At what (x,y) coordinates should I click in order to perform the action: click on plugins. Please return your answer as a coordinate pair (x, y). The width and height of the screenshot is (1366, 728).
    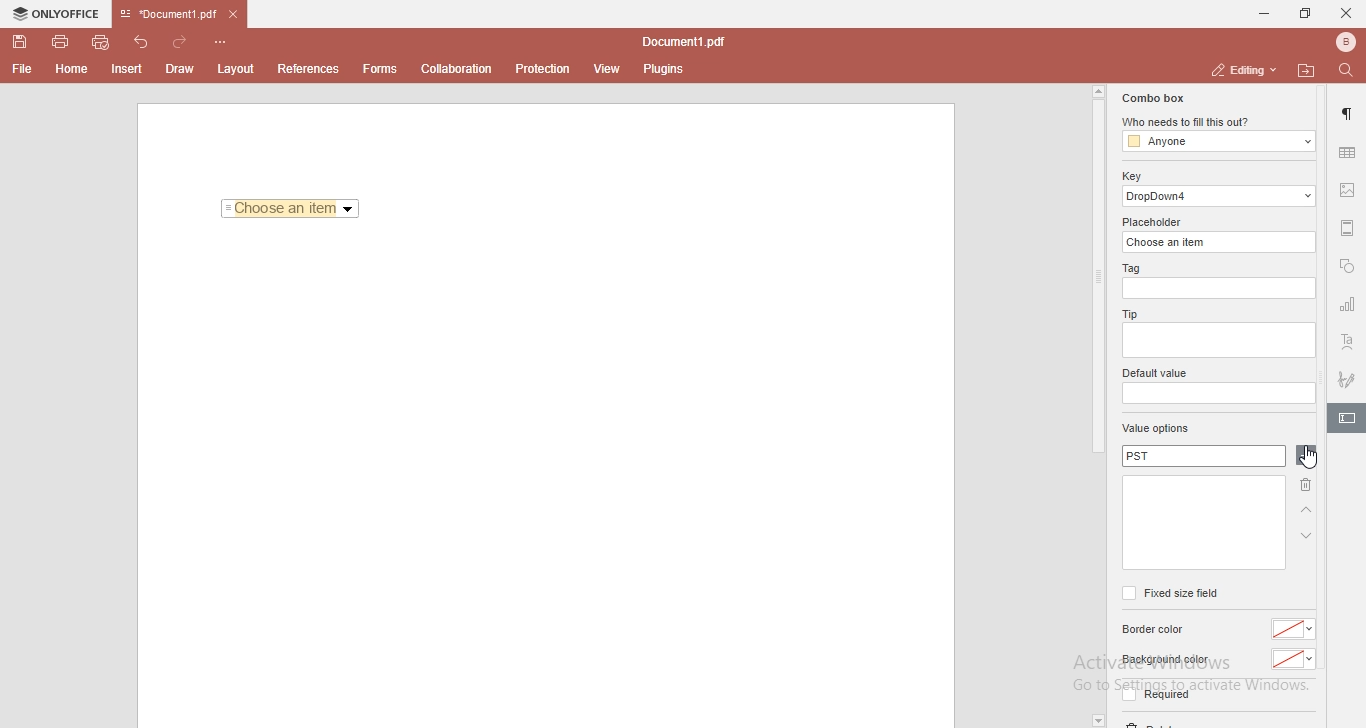
    Looking at the image, I should click on (664, 70).